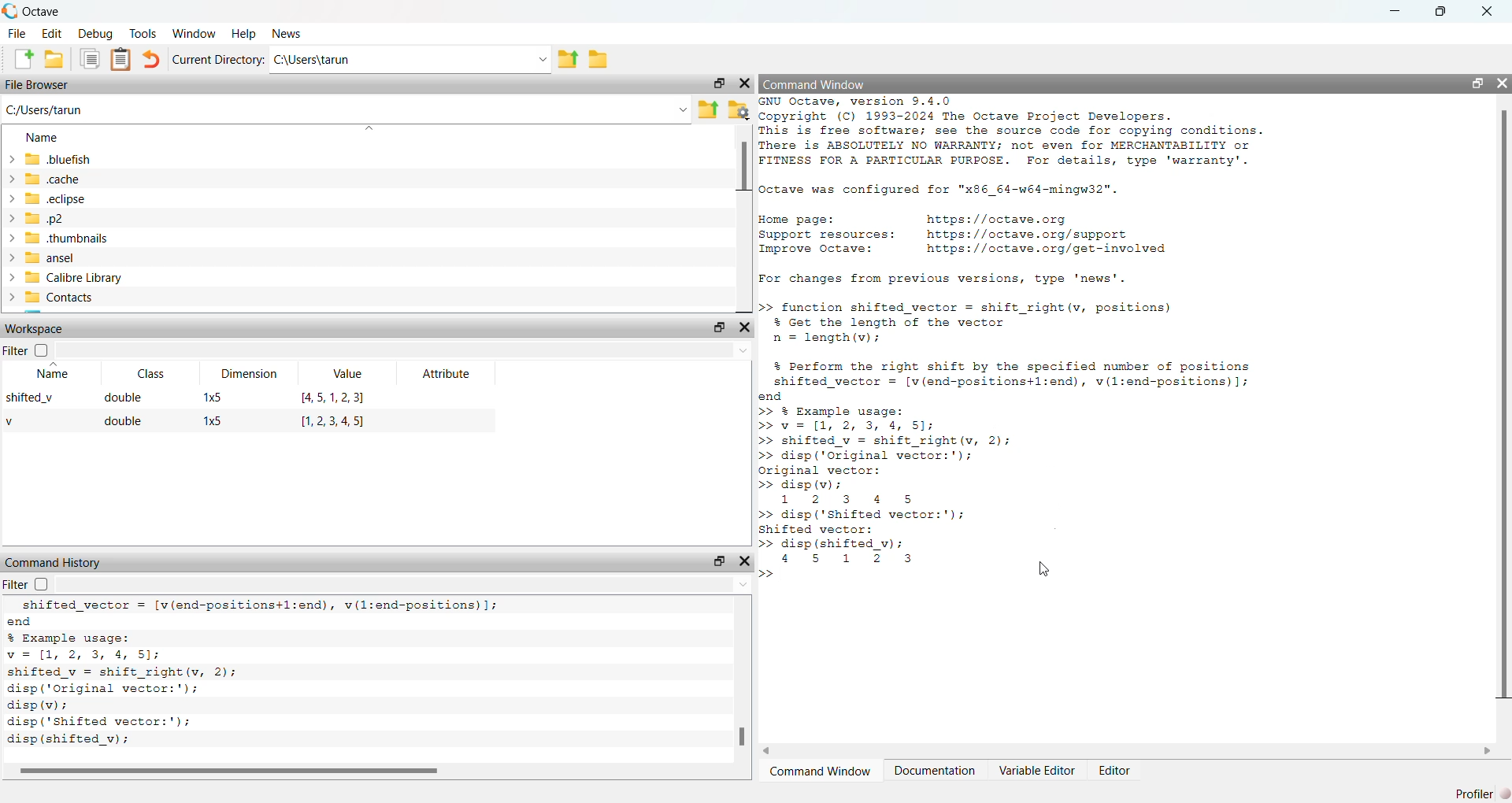  Describe the element at coordinates (739, 111) in the screenshot. I see `browse your files` at that location.